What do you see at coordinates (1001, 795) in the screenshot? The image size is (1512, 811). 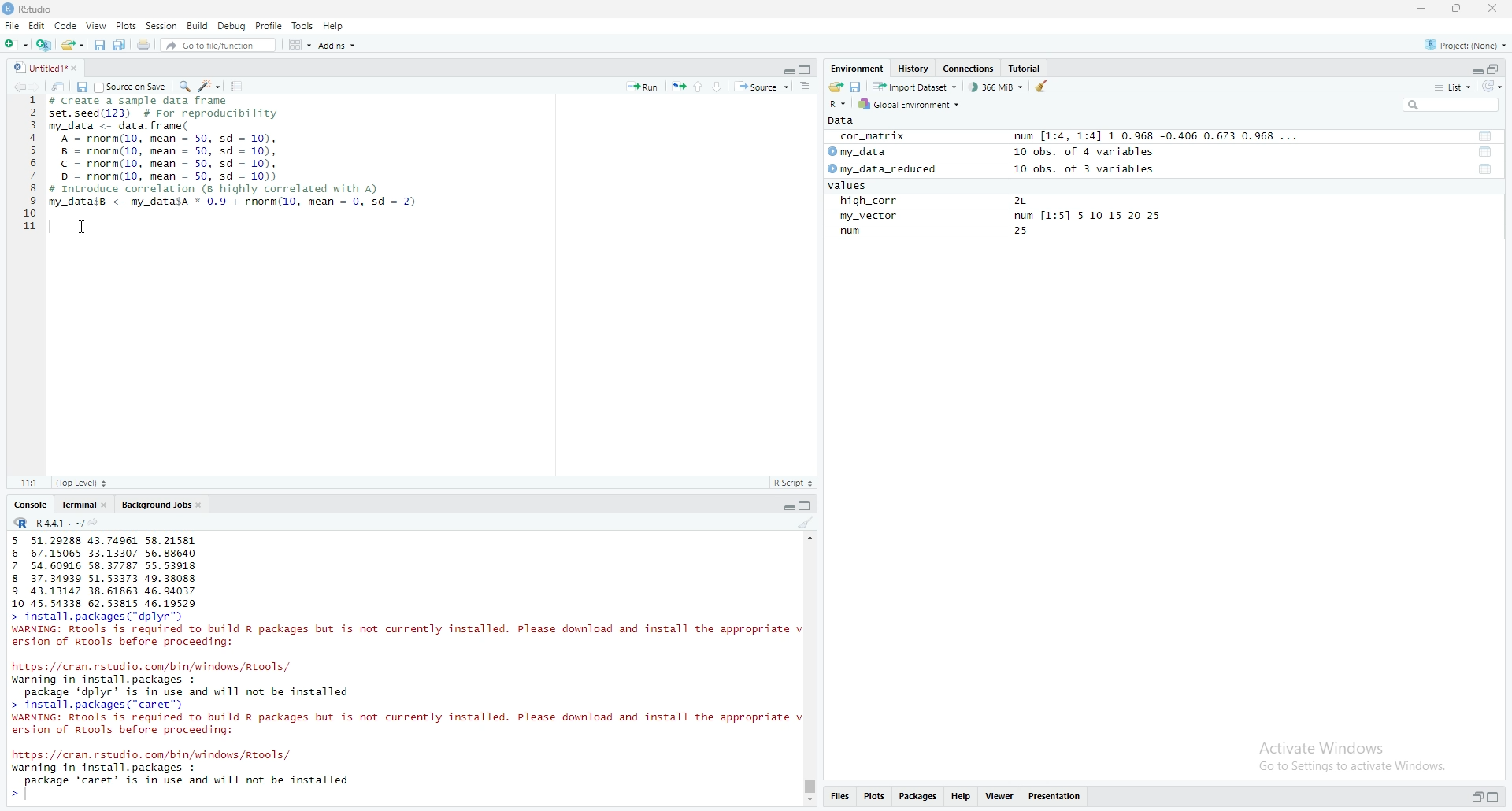 I see `Viewer` at bounding box center [1001, 795].